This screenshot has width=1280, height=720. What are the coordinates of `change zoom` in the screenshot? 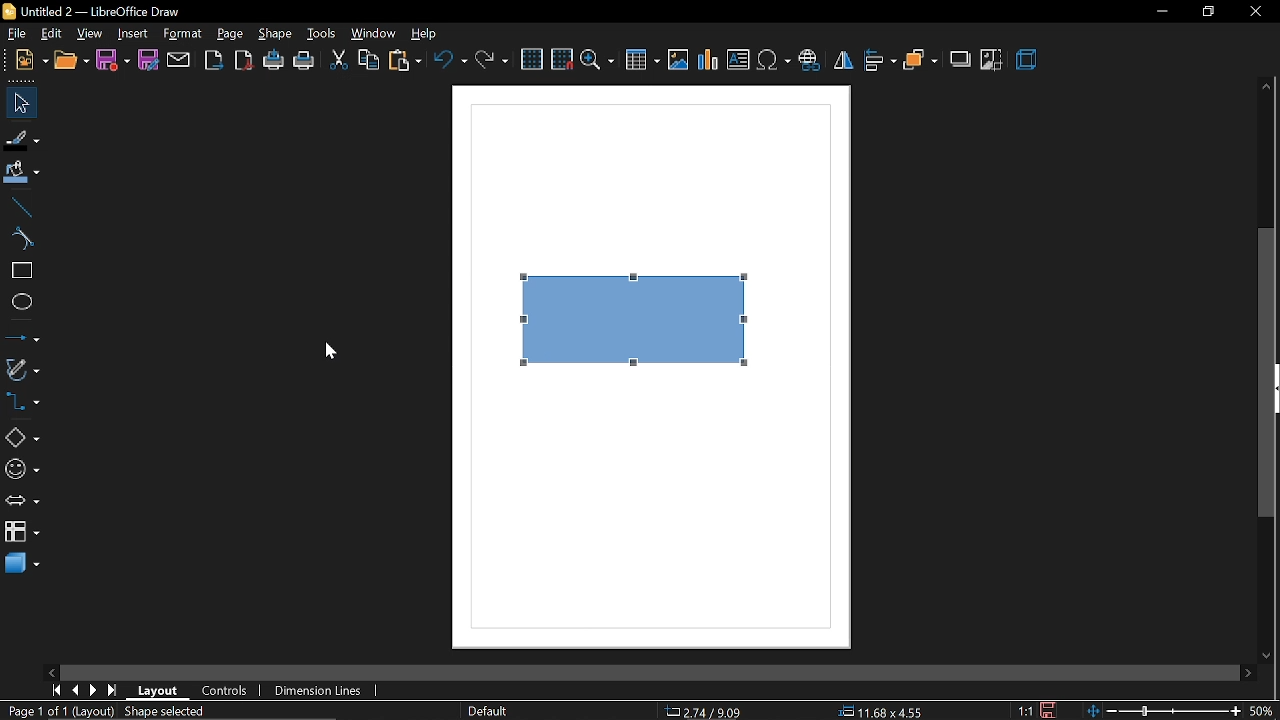 It's located at (1163, 712).